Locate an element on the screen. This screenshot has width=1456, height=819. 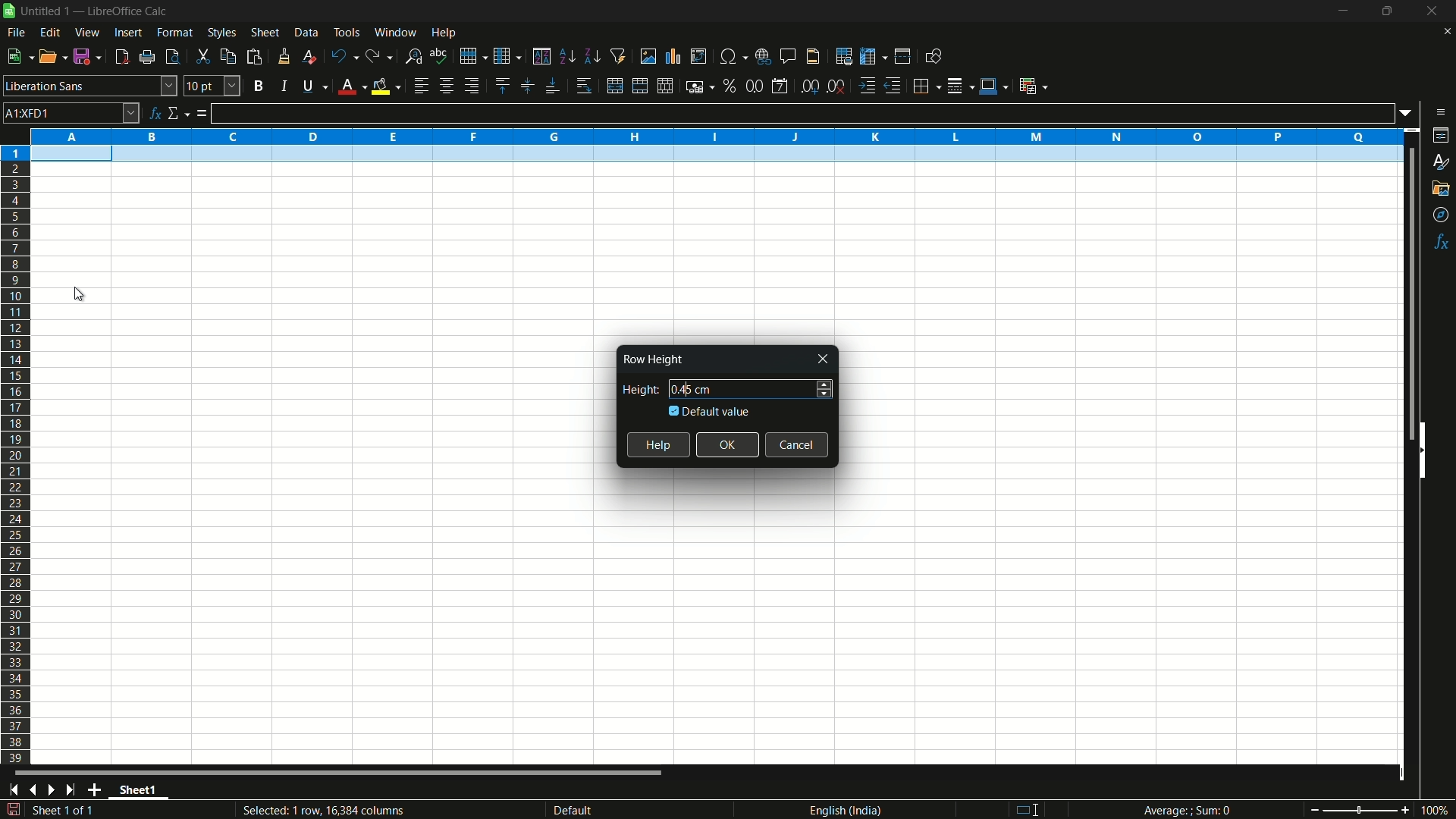
format as number is located at coordinates (754, 86).